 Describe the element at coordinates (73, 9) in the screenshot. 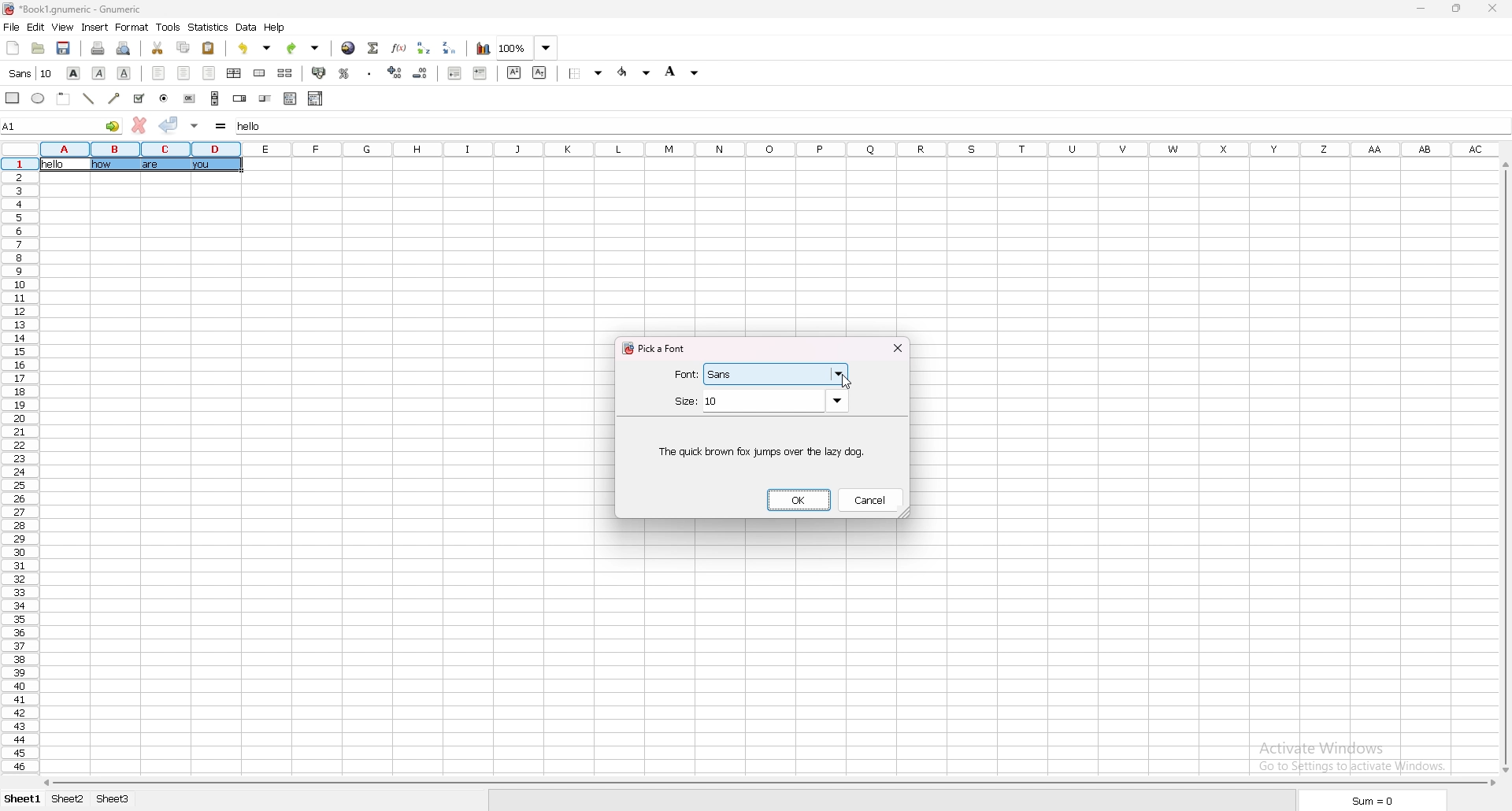

I see `file name` at that location.